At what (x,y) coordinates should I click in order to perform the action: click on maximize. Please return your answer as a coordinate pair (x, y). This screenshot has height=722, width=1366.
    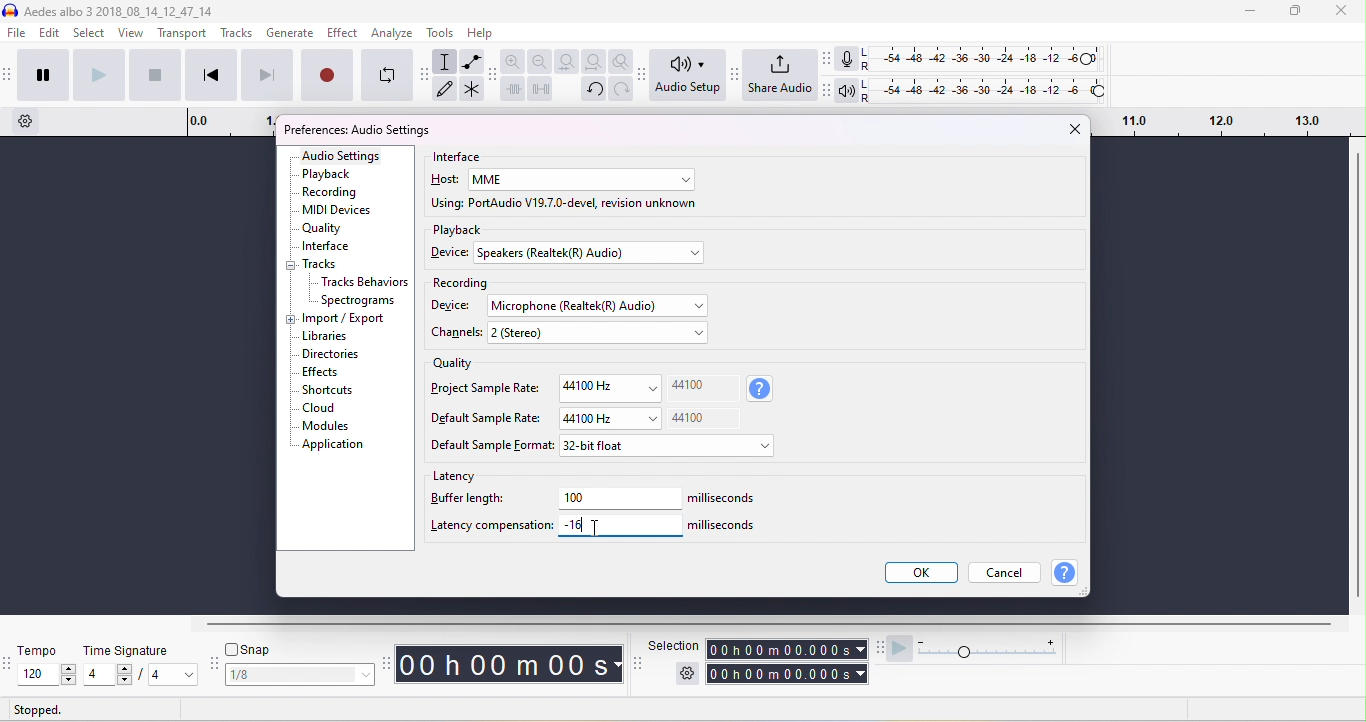
    Looking at the image, I should click on (1294, 11).